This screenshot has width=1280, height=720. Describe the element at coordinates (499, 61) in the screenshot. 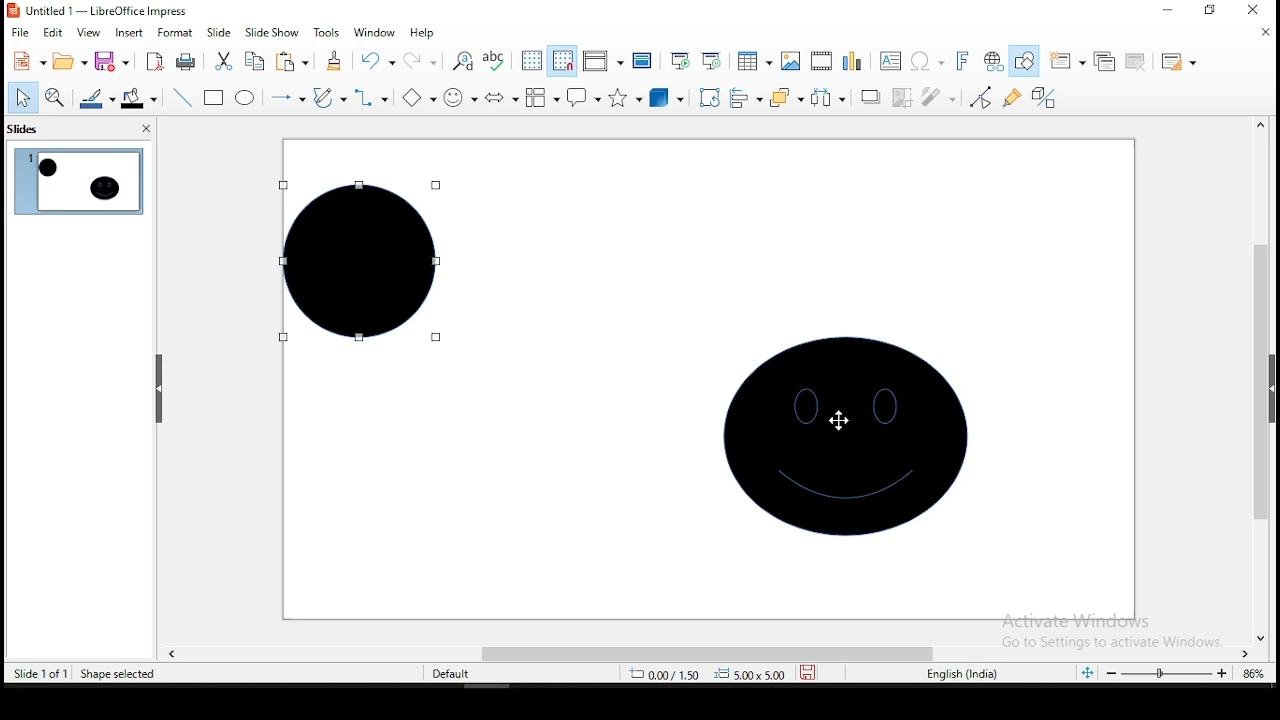

I see `spell check` at that location.